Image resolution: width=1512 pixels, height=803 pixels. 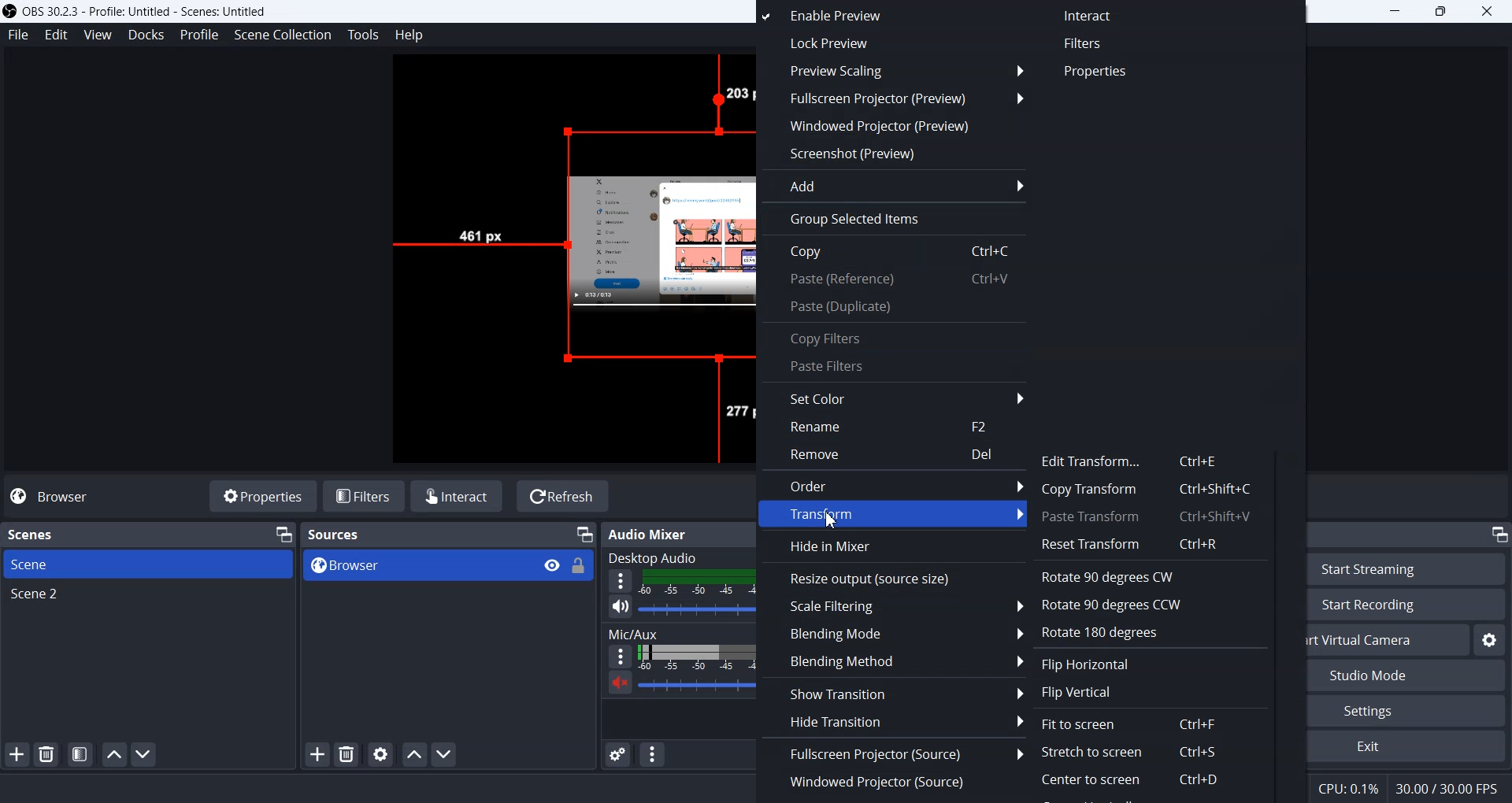 What do you see at coordinates (895, 455) in the screenshot?
I see `Remove` at bounding box center [895, 455].